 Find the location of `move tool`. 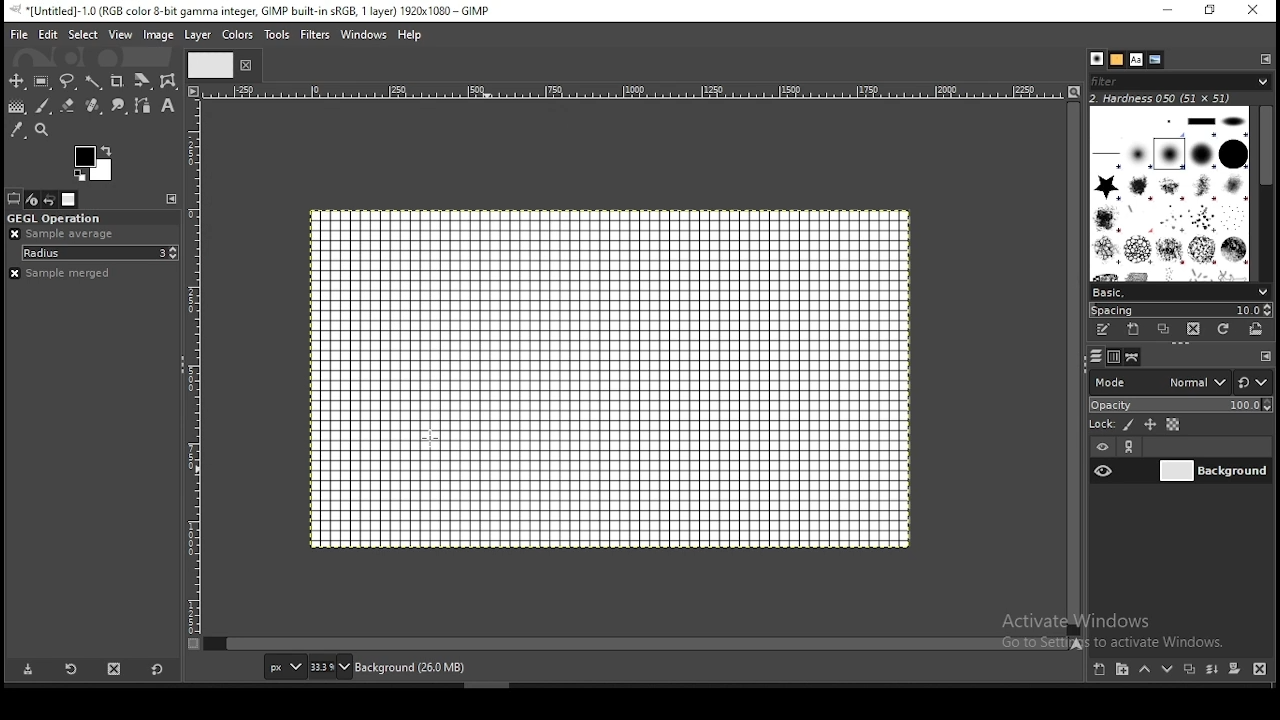

move tool is located at coordinates (16, 80).